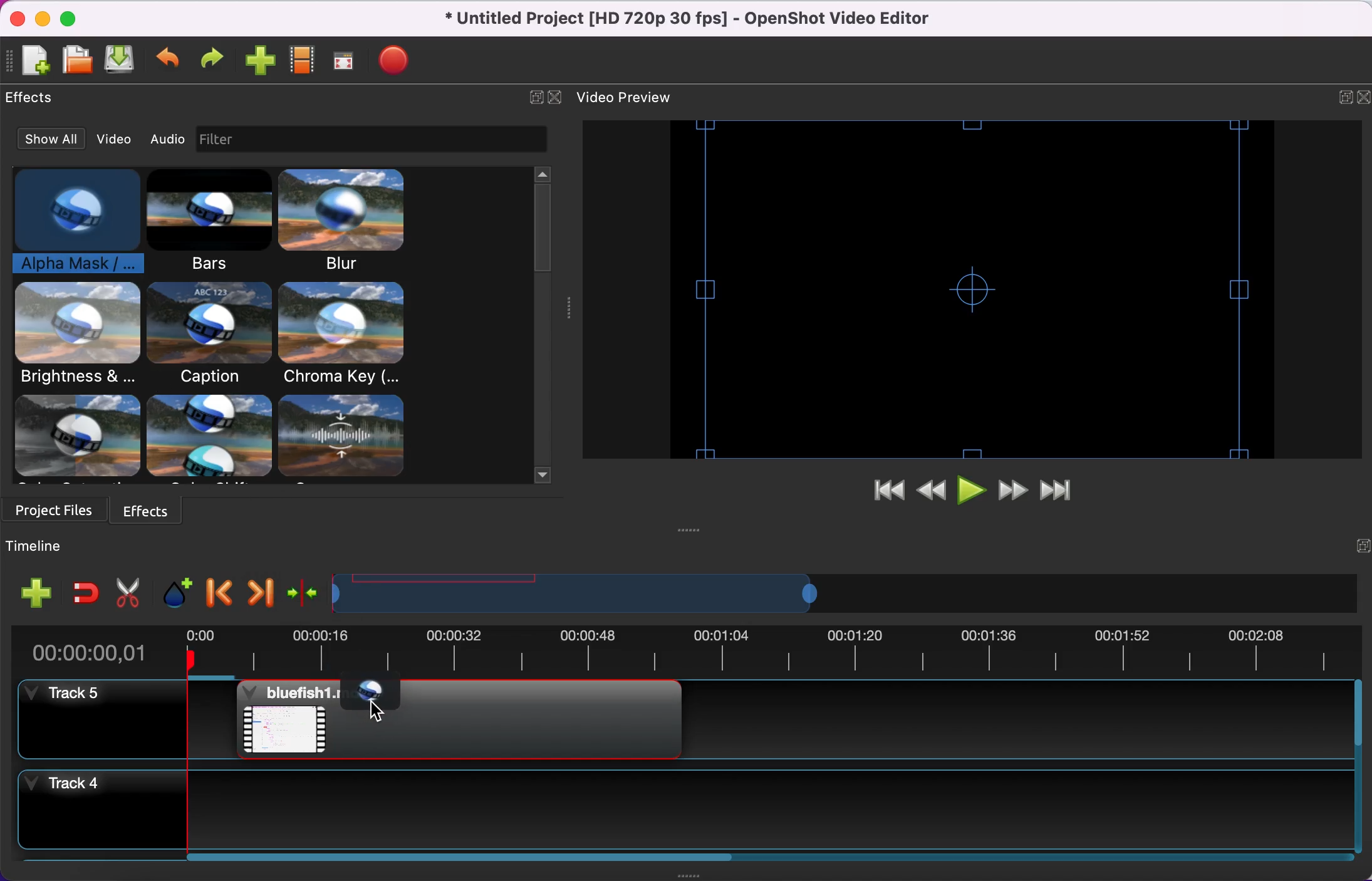 This screenshot has width=1372, height=881. What do you see at coordinates (115, 138) in the screenshot?
I see `video` at bounding box center [115, 138].